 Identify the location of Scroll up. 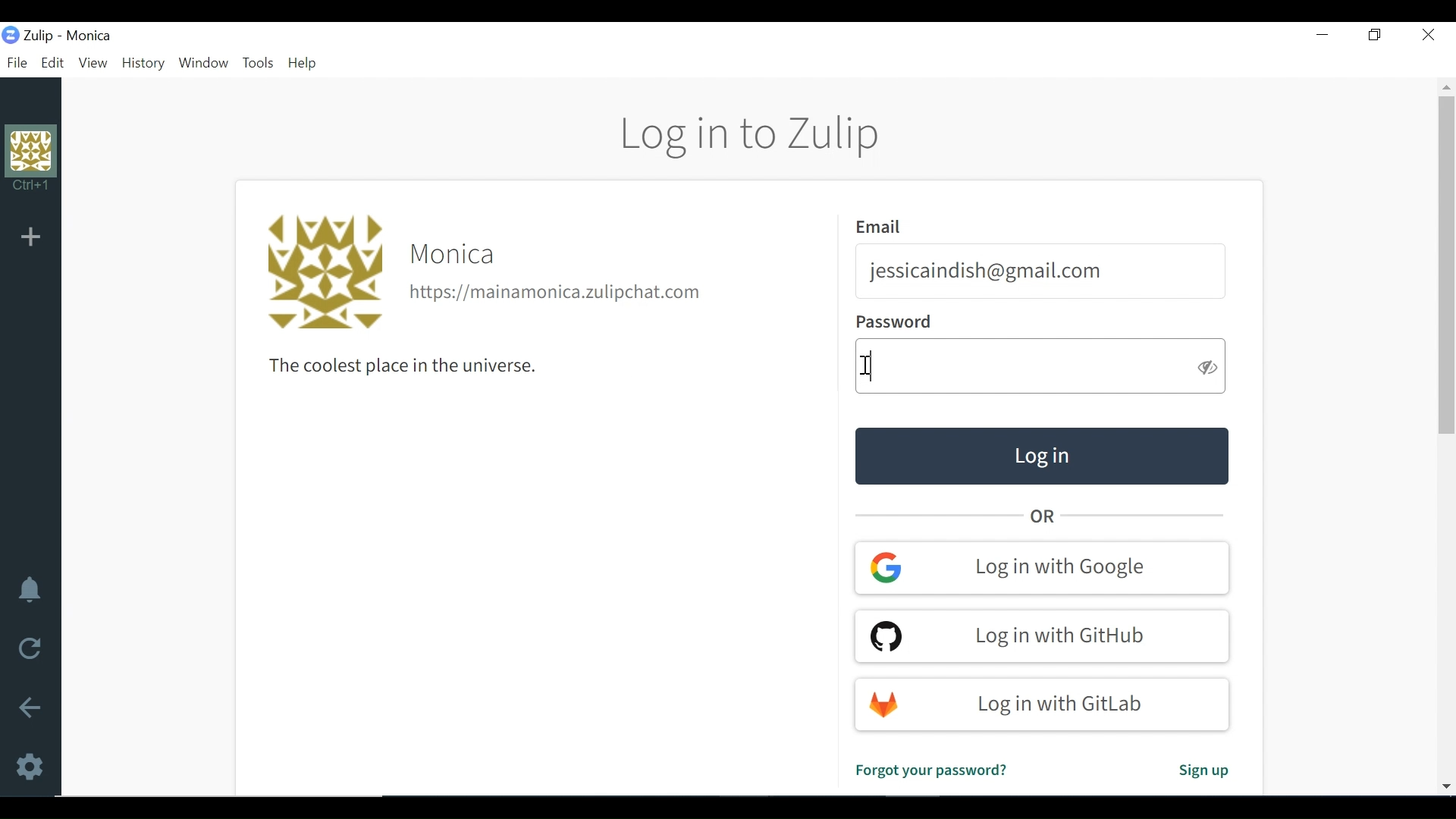
(1447, 86).